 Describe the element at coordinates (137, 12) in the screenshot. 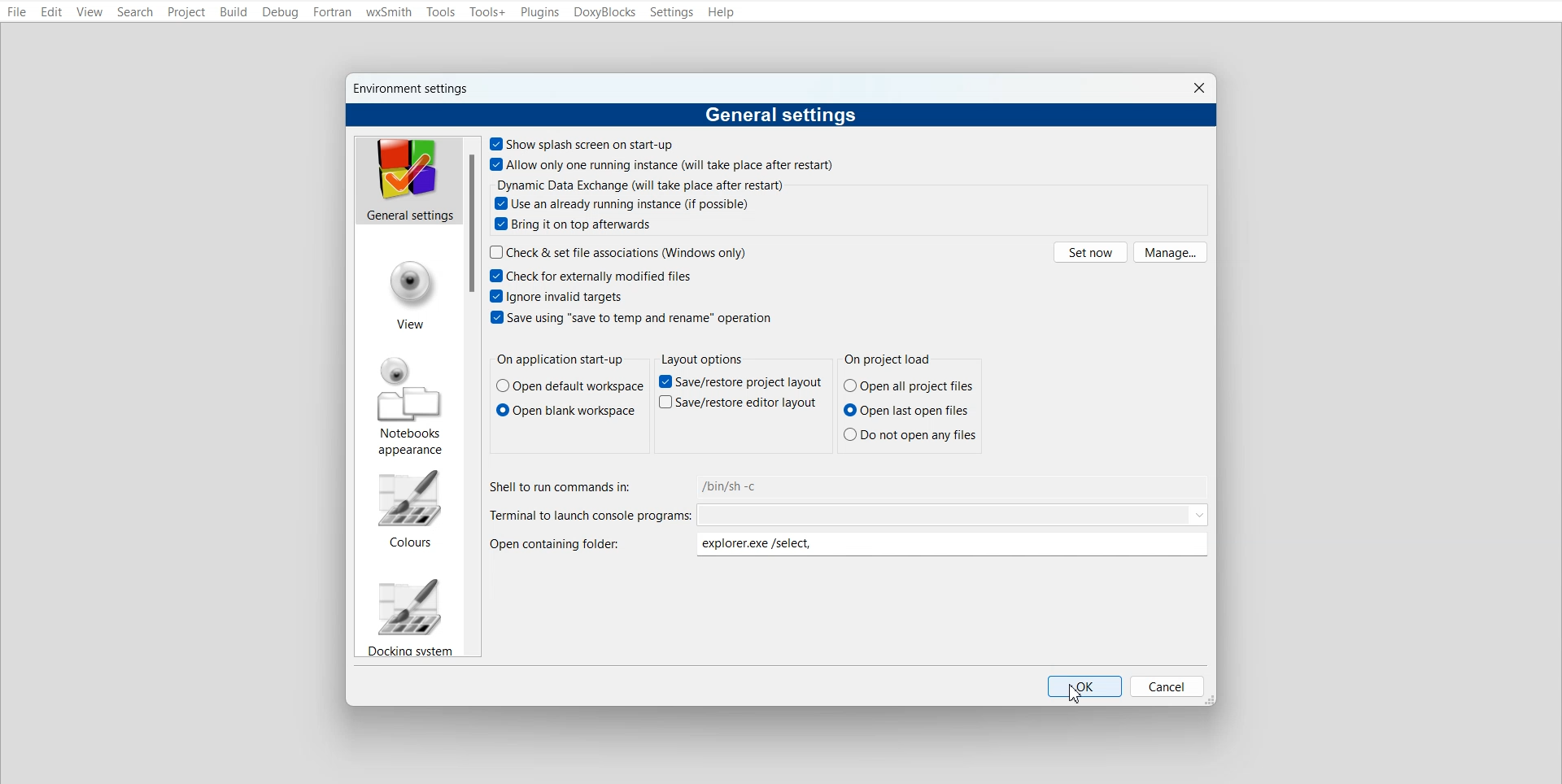

I see `Search` at that location.